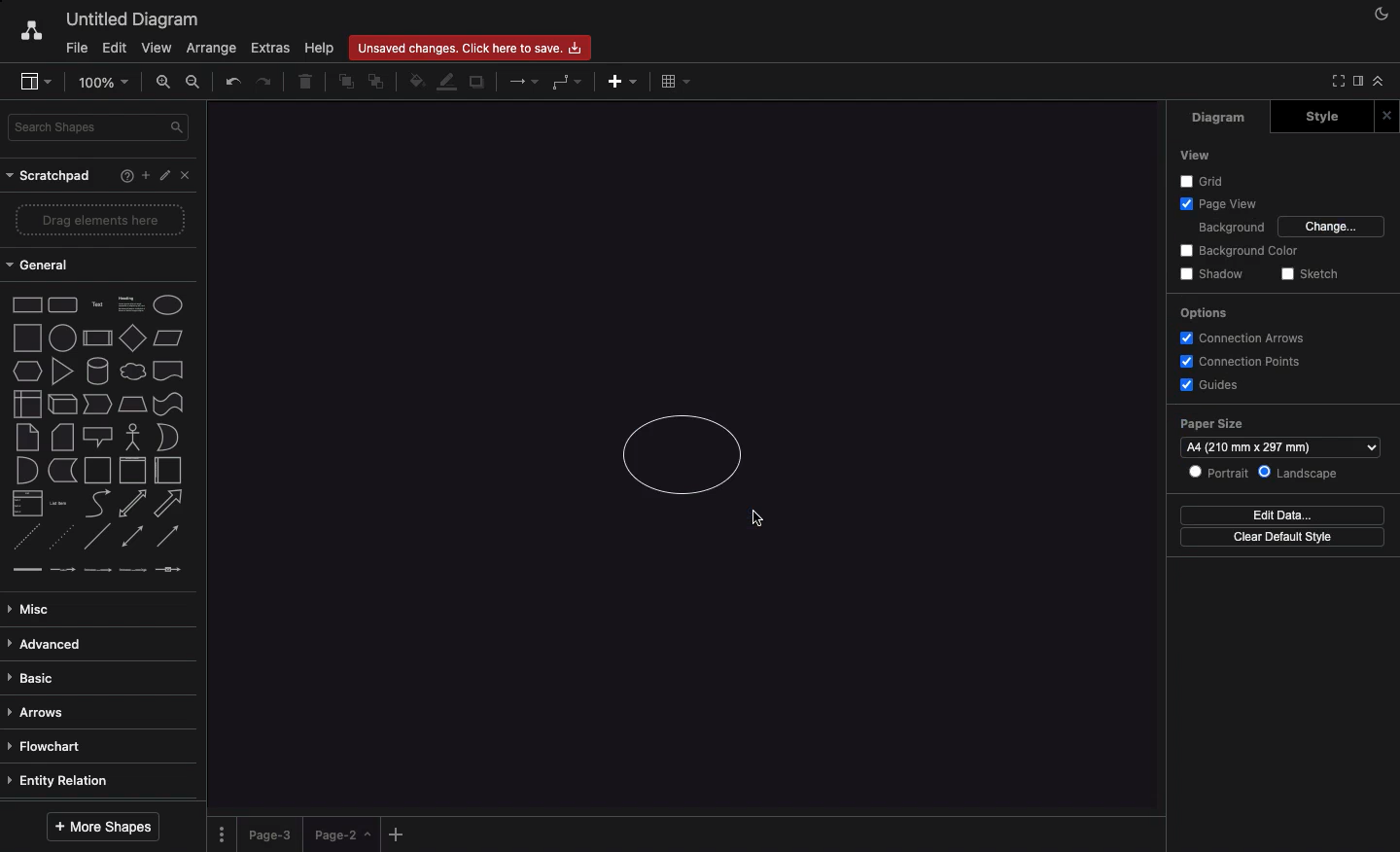 The width and height of the screenshot is (1400, 852). I want to click on Arrows, so click(521, 83).